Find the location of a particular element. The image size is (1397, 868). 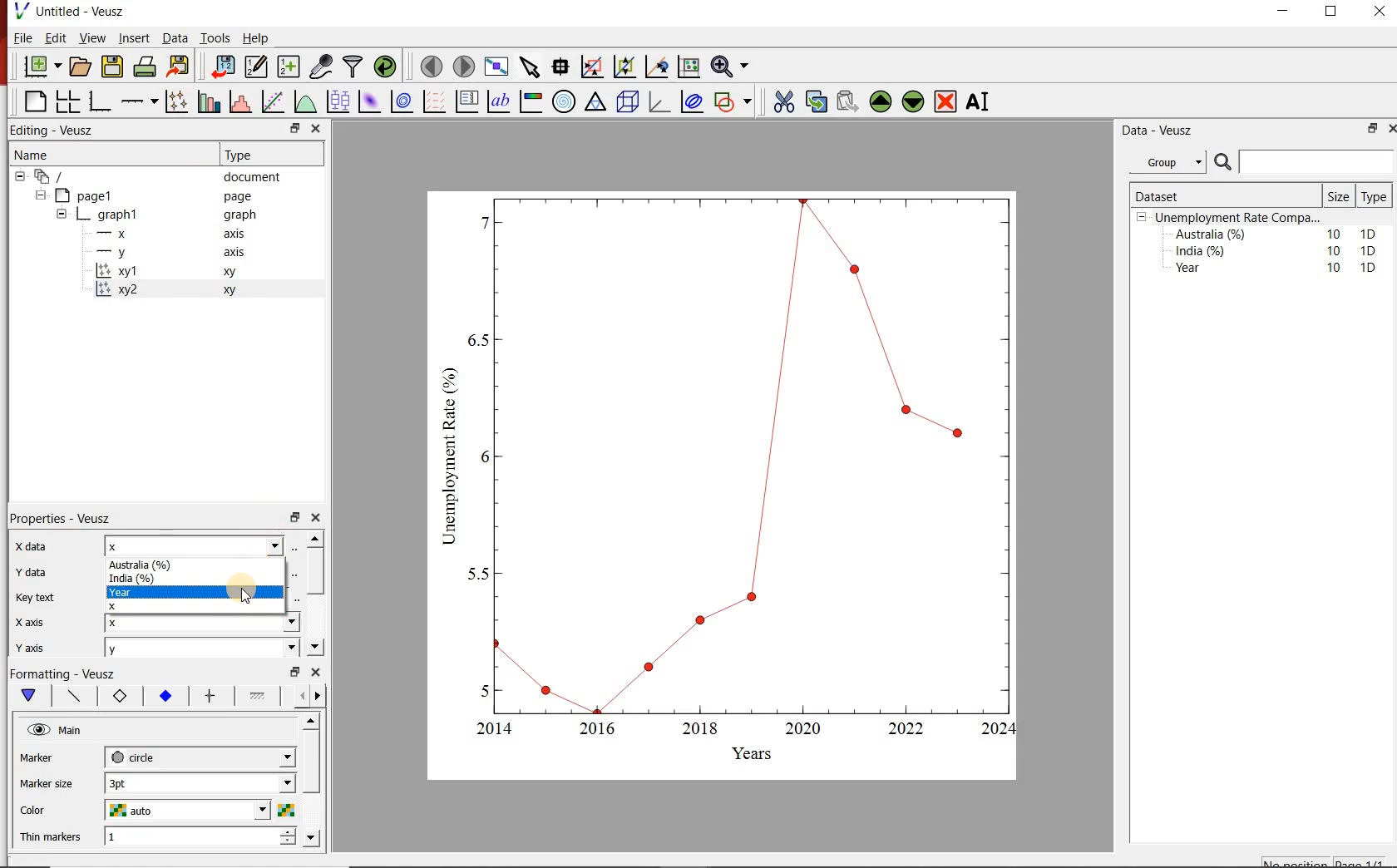

move up is located at coordinates (313, 721).